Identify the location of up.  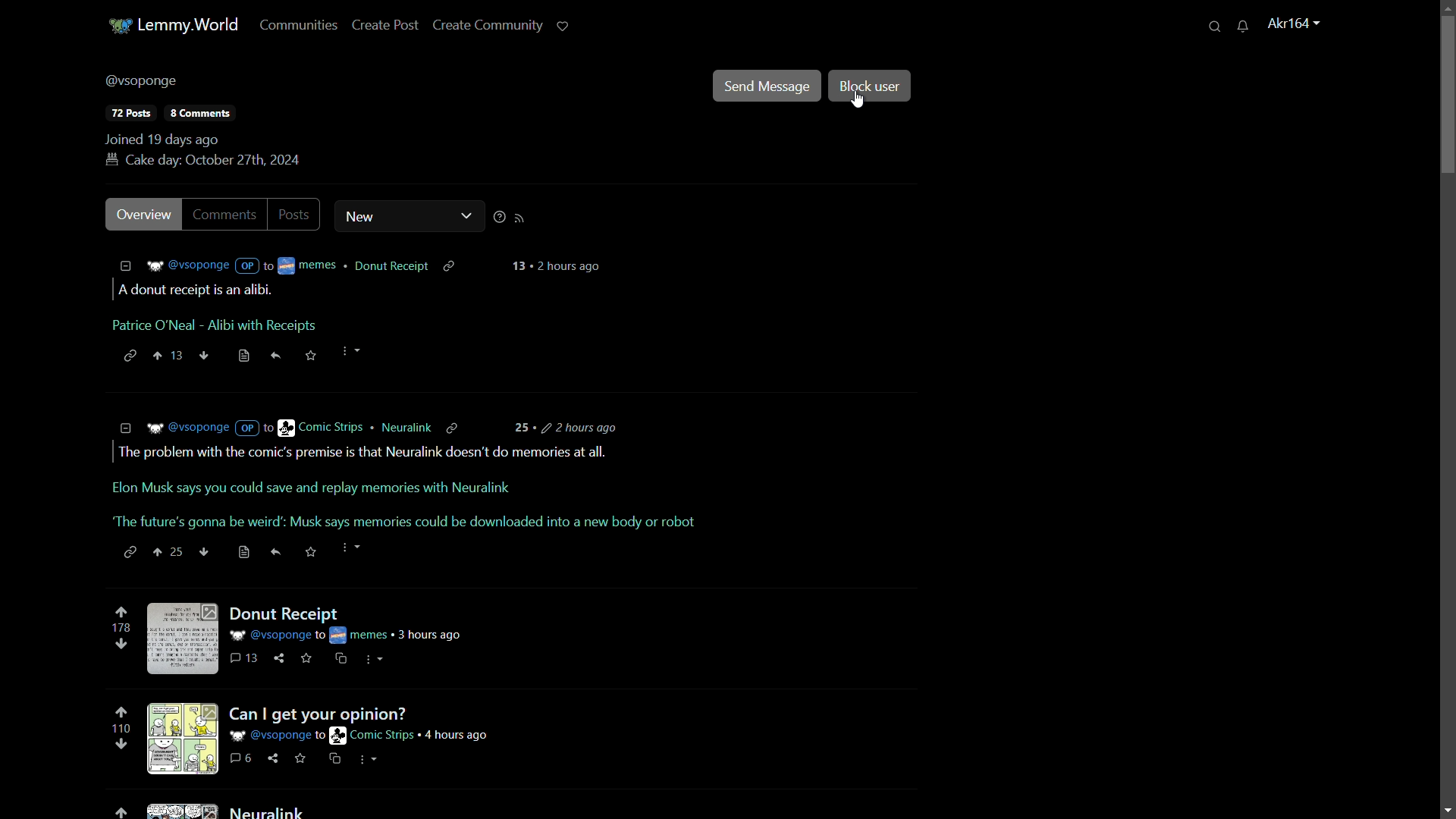
(172, 355).